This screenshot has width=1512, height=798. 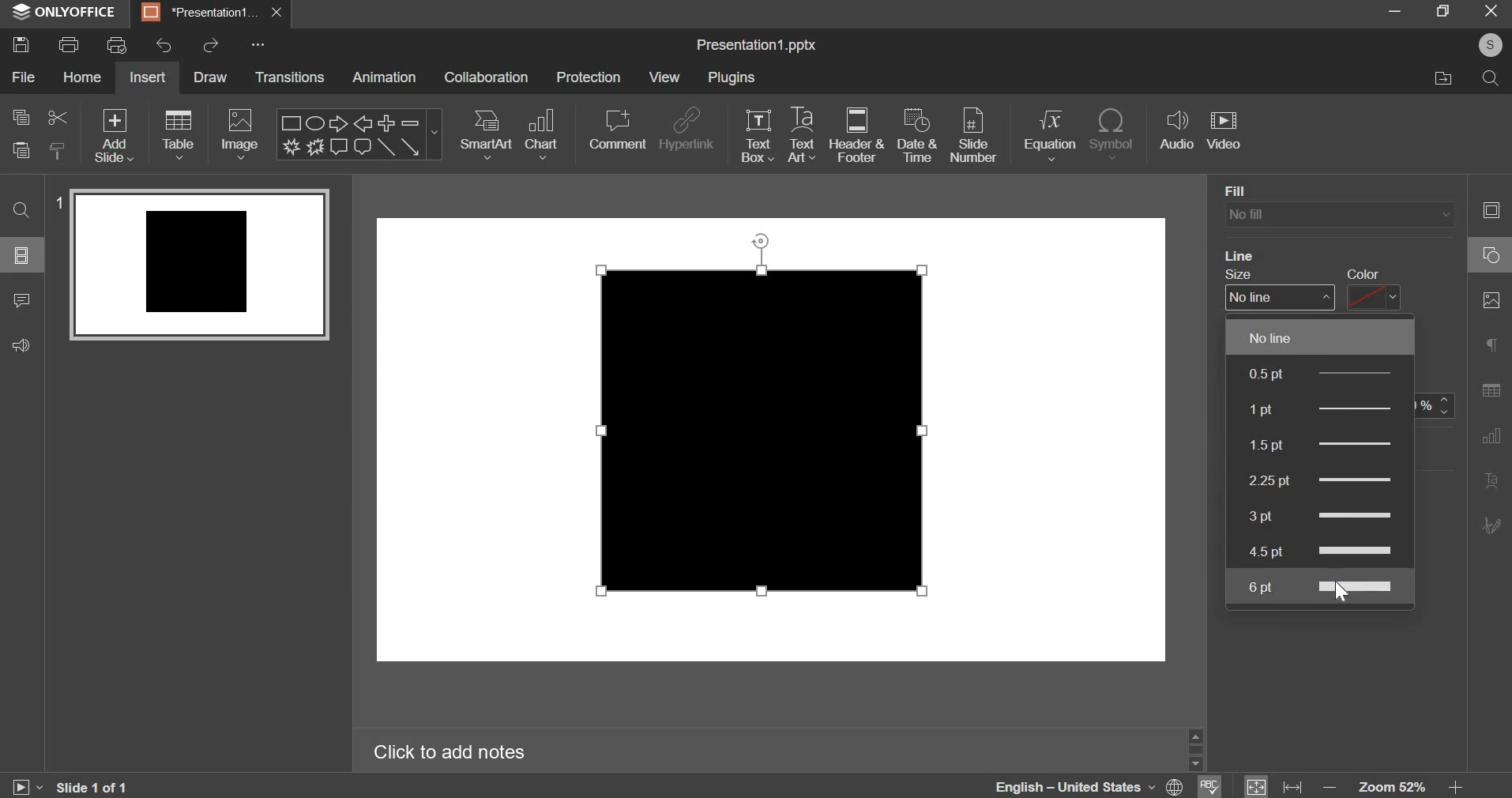 I want to click on minimize, so click(x=1394, y=11).